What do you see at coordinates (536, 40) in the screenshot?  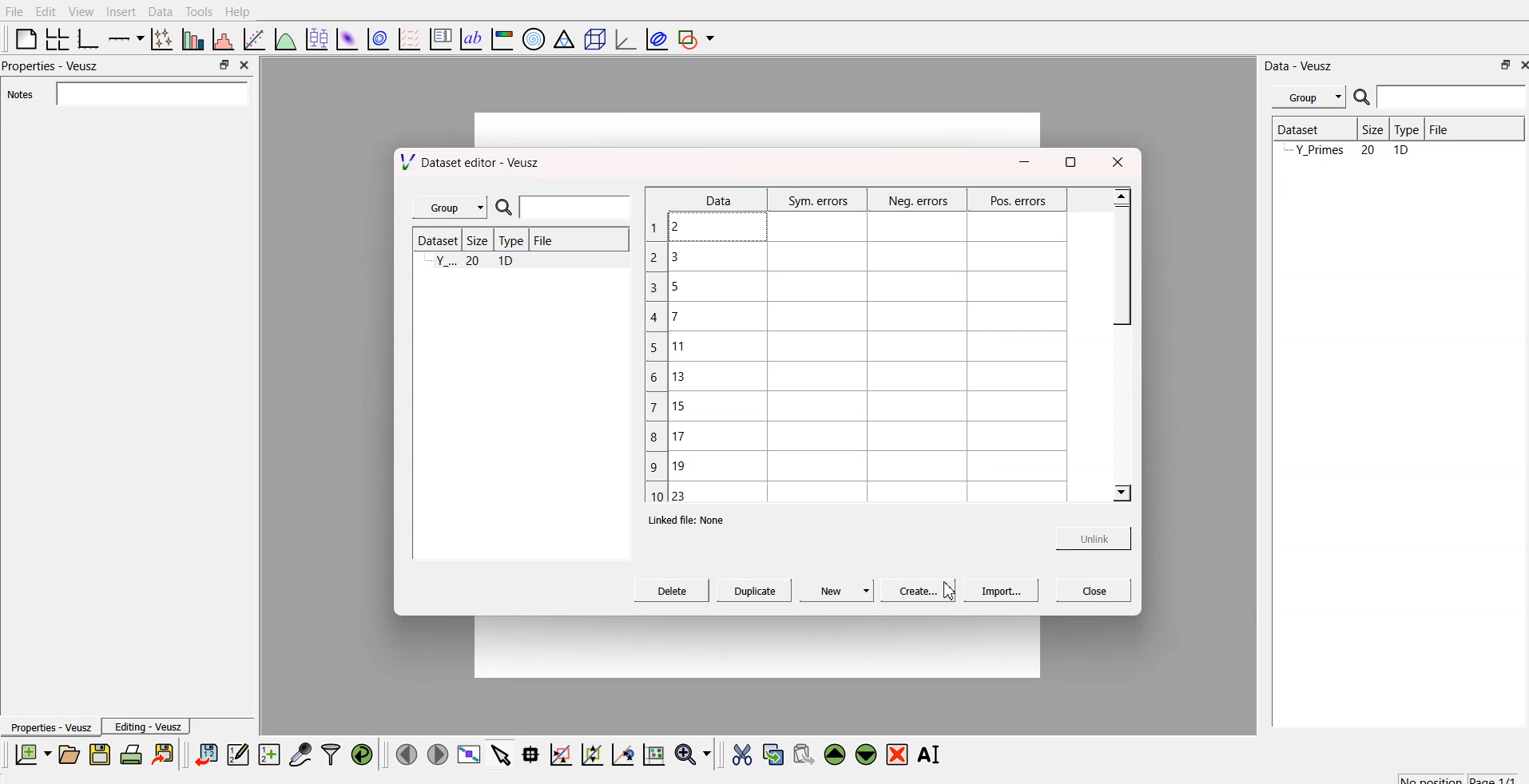 I see `polar graph` at bounding box center [536, 40].